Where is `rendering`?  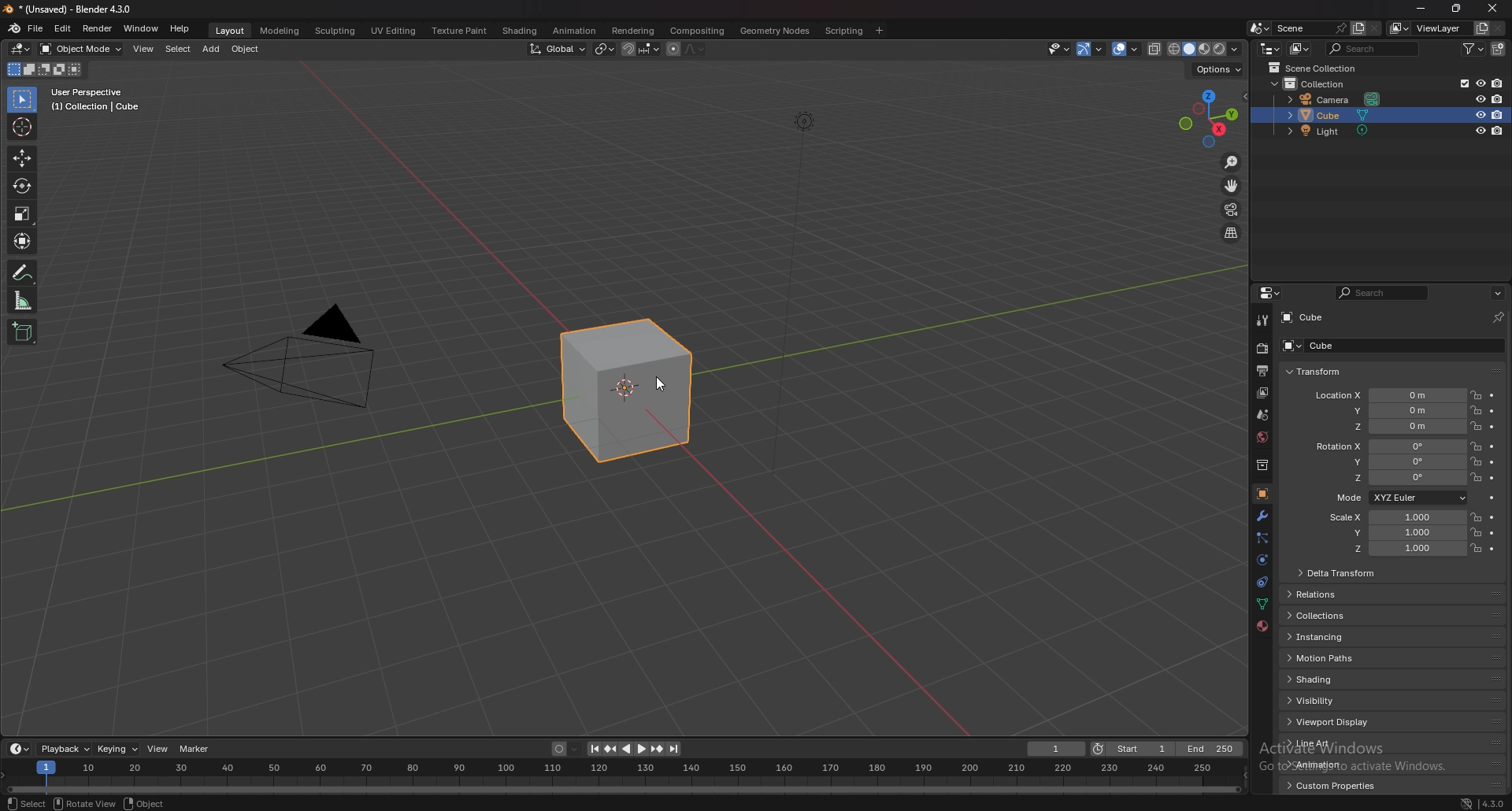 rendering is located at coordinates (632, 31).